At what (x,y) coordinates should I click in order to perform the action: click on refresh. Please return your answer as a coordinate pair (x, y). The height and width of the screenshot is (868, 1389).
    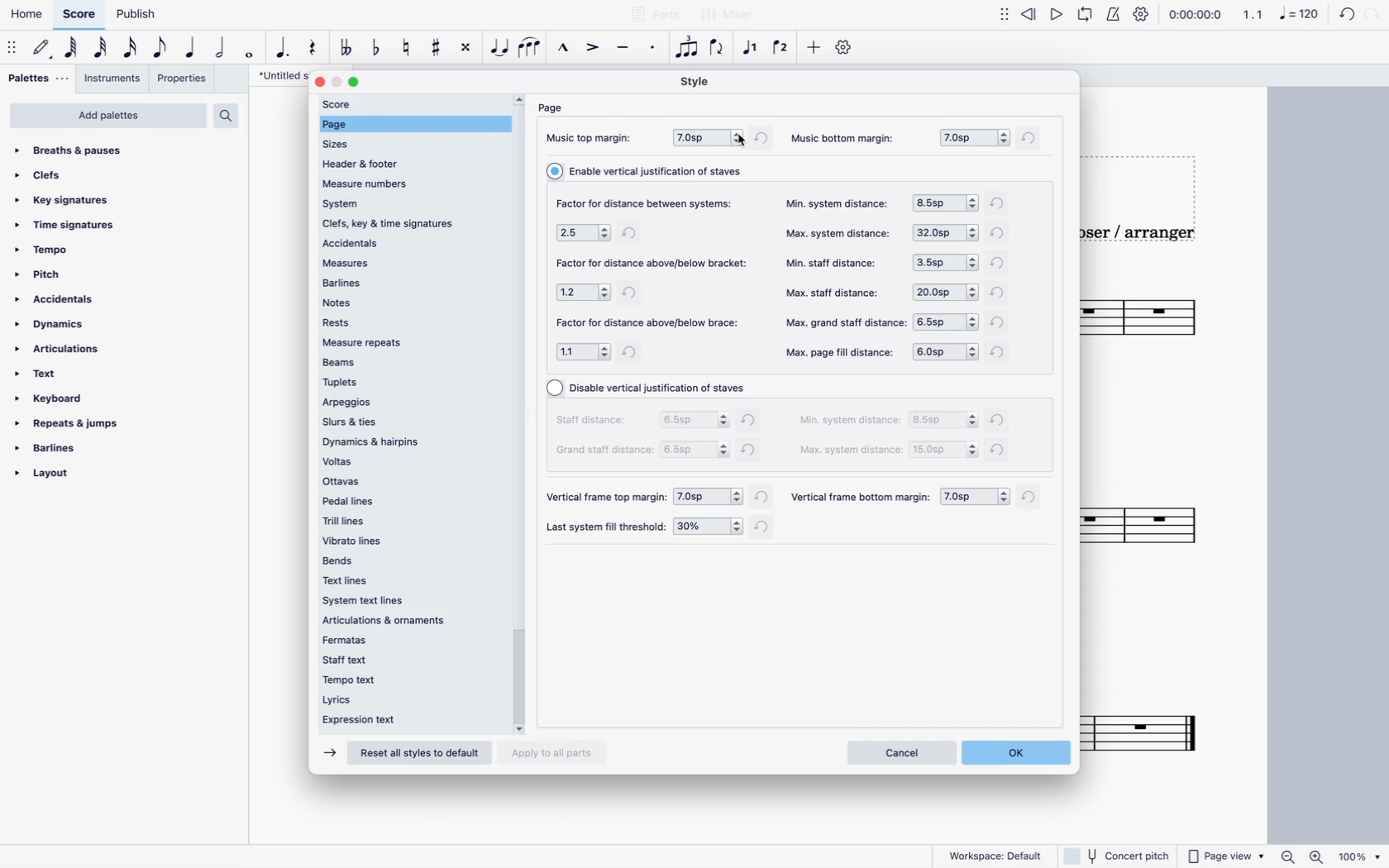
    Looking at the image, I should click on (632, 232).